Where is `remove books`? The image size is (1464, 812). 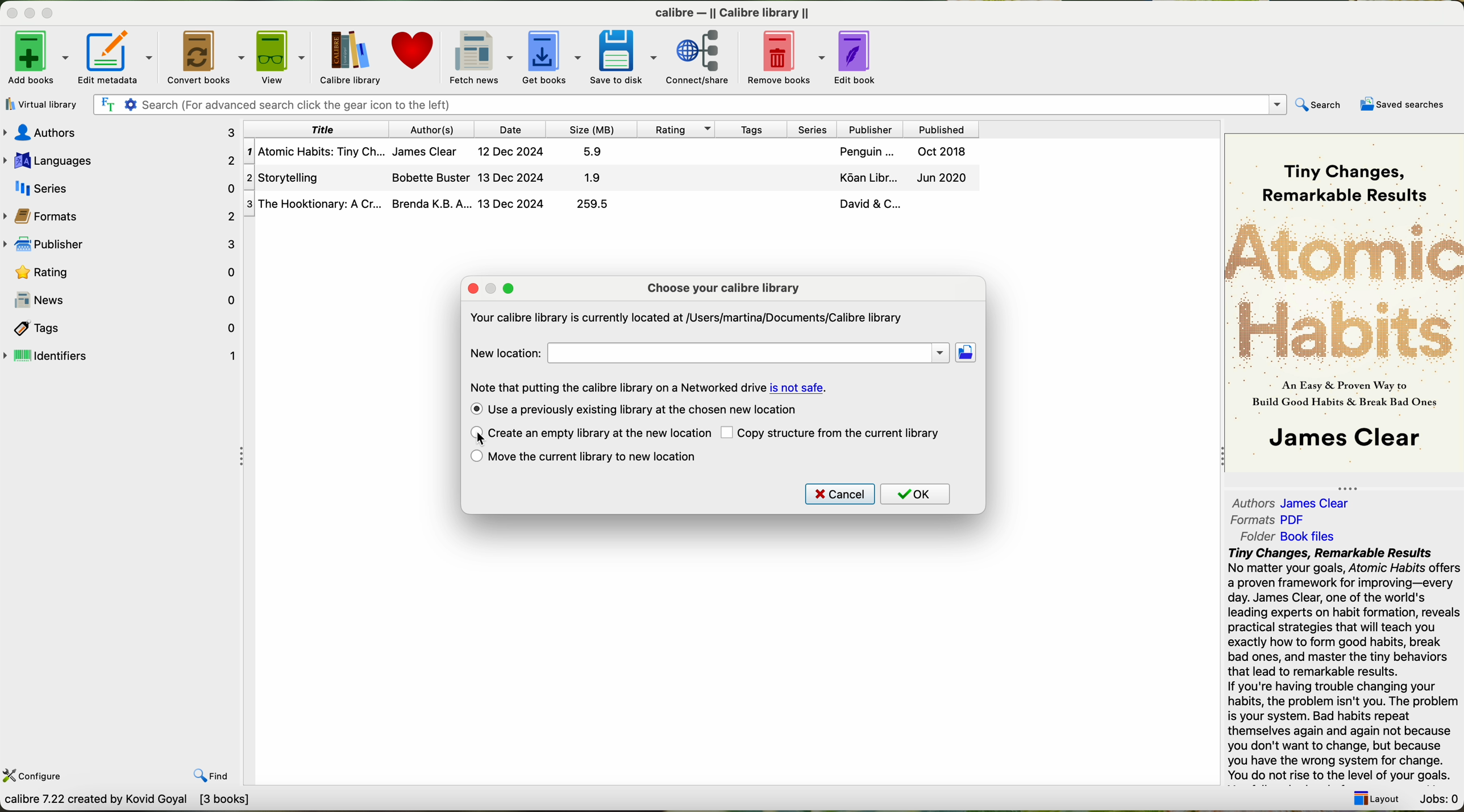
remove books is located at coordinates (789, 56).